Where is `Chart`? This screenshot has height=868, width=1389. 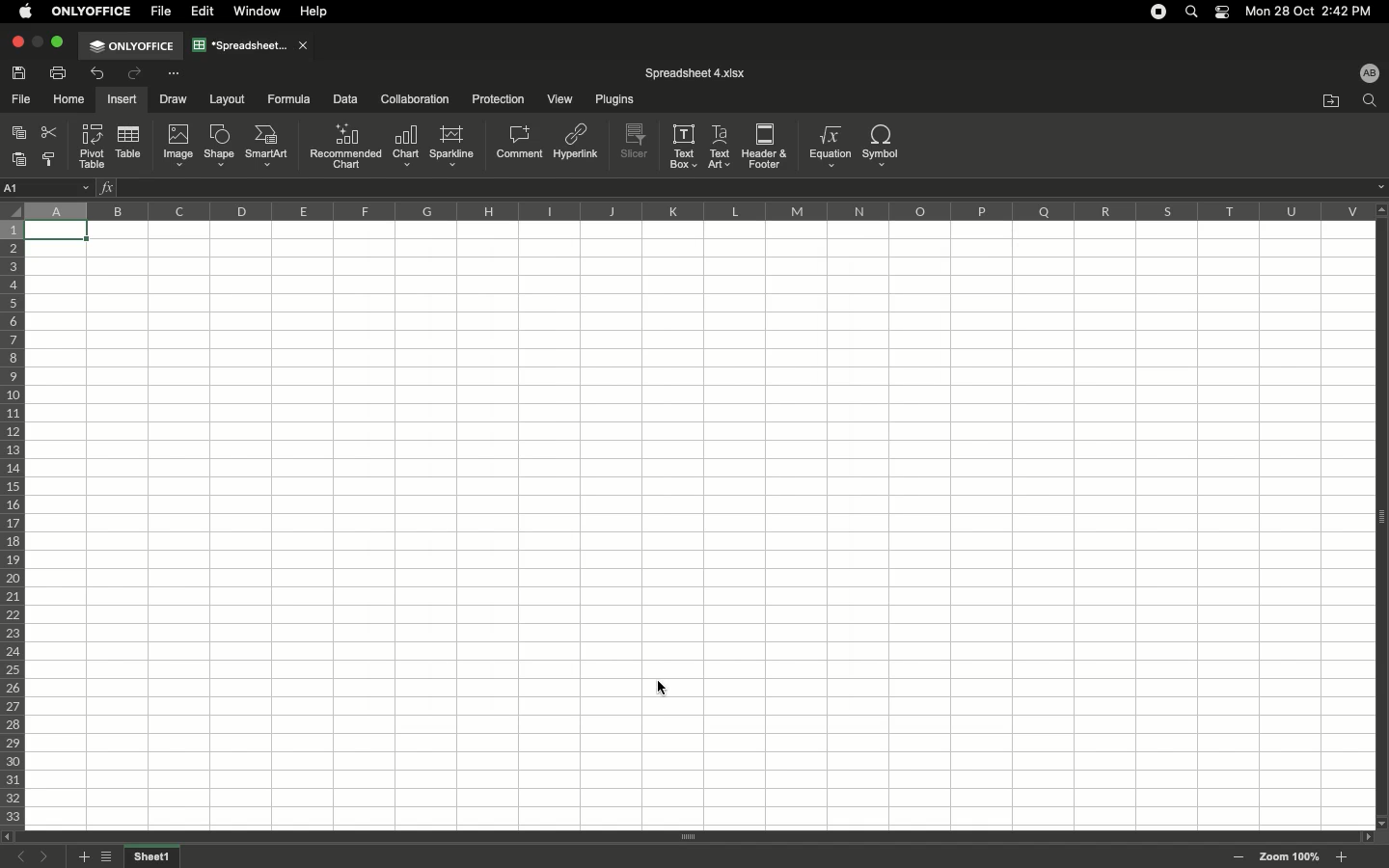
Chart is located at coordinates (406, 147).